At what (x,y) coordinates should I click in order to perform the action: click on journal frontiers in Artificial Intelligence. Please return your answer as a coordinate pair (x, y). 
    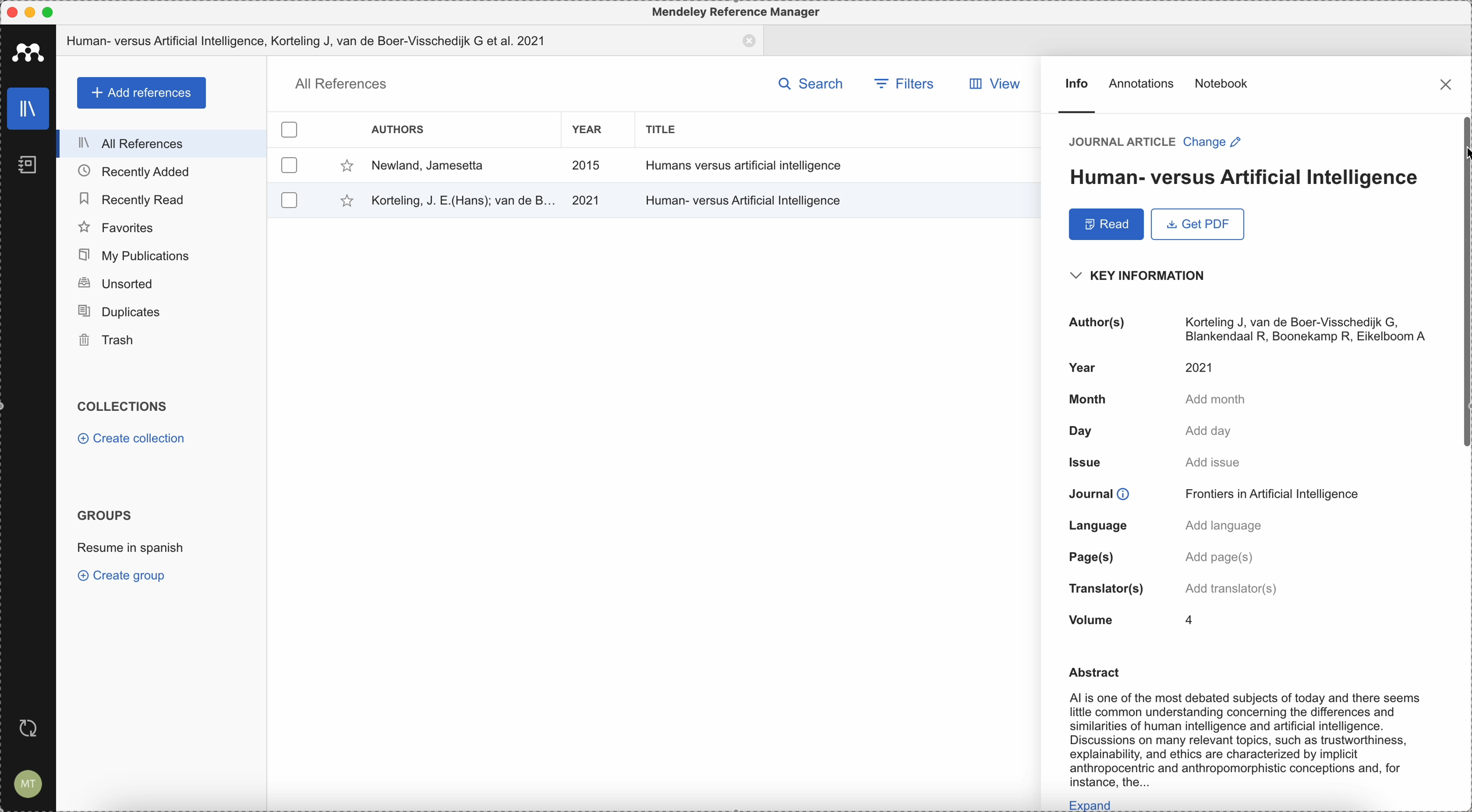
    Looking at the image, I should click on (1220, 493).